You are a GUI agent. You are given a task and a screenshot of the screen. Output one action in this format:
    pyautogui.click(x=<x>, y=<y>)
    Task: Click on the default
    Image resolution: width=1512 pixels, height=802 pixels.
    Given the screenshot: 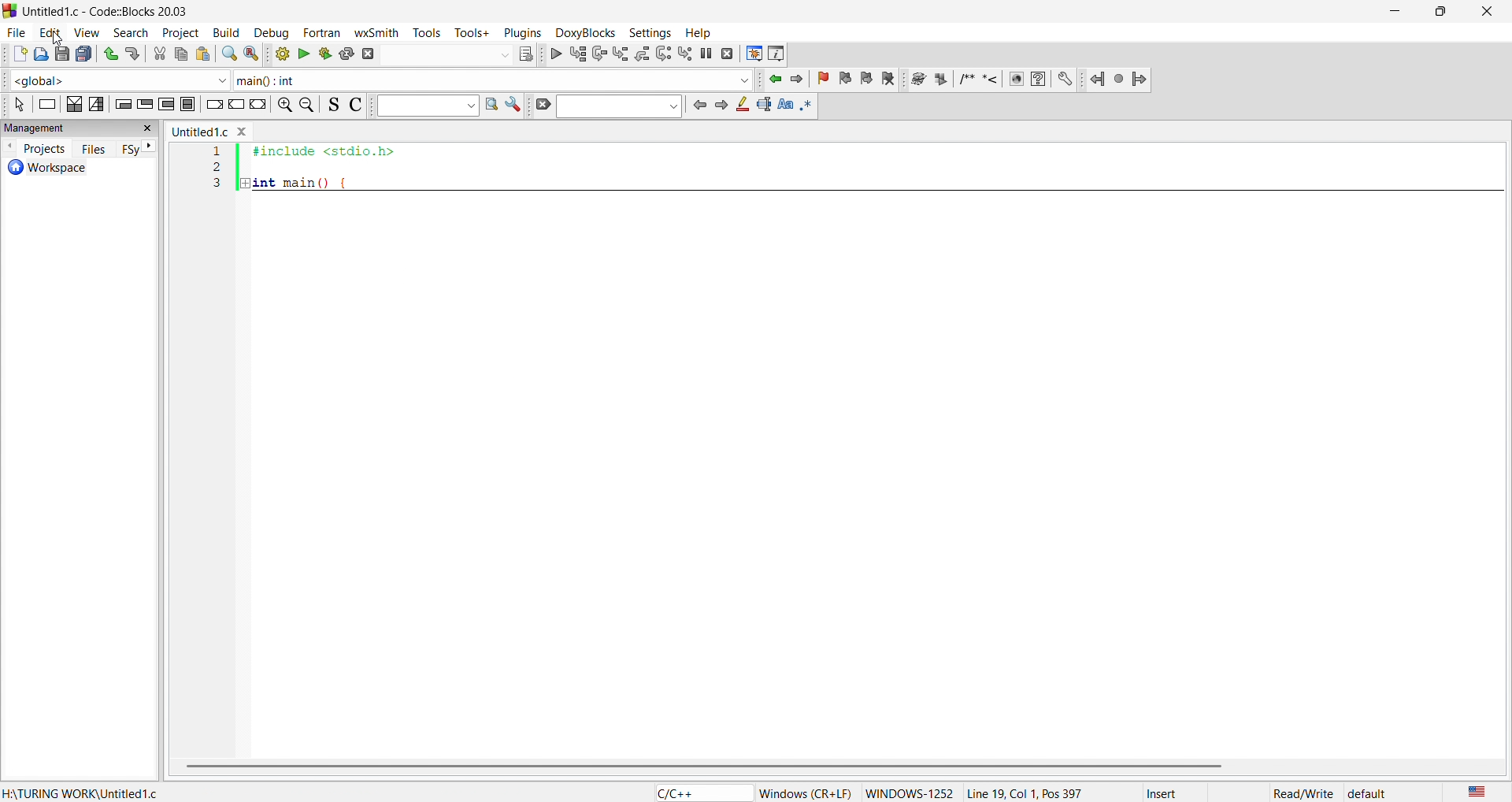 What is the action you would take?
    pyautogui.click(x=1368, y=793)
    